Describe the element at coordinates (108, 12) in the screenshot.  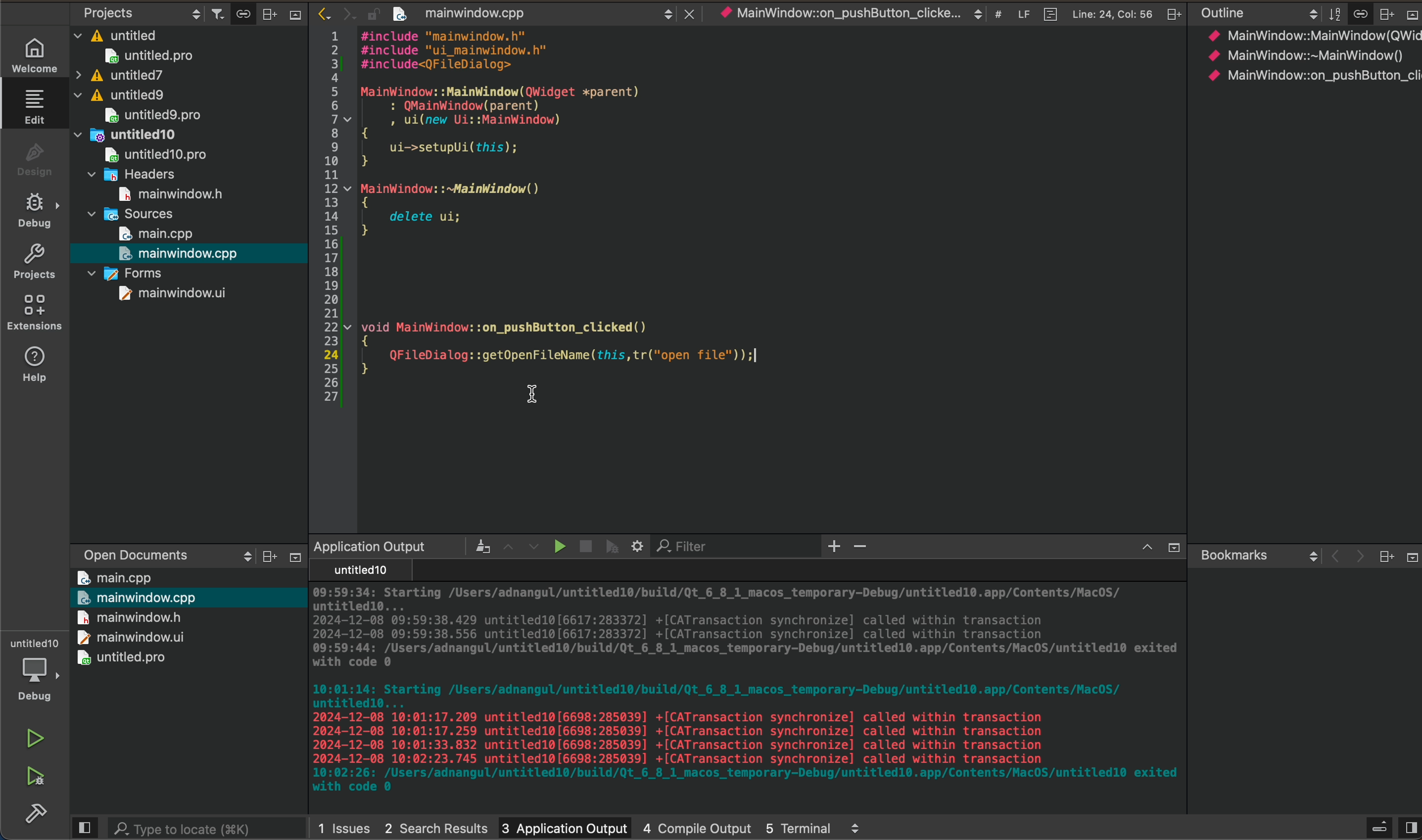
I see `projects` at that location.